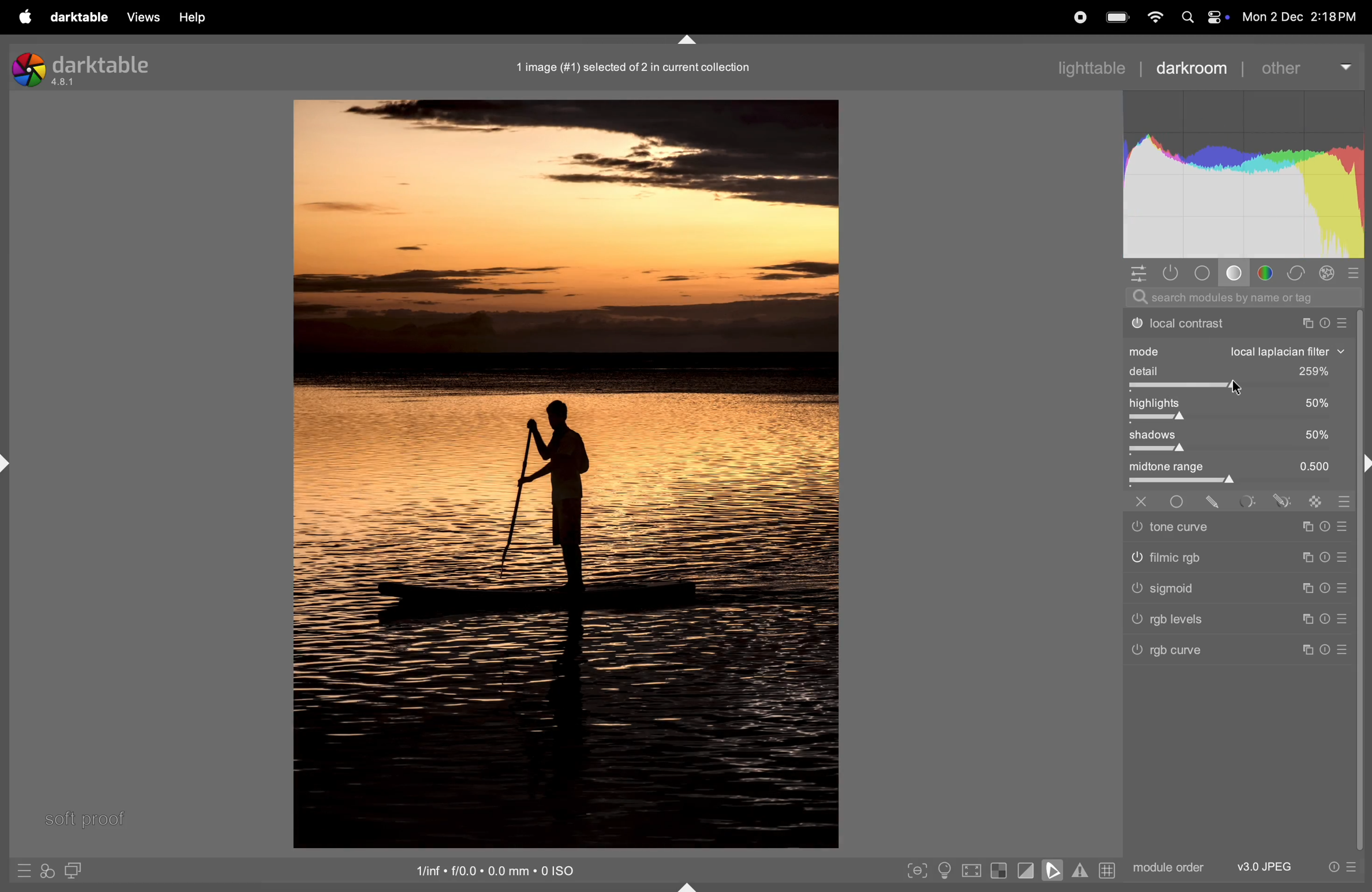 The height and width of the screenshot is (892, 1372). What do you see at coordinates (1342, 652) in the screenshot?
I see `` at bounding box center [1342, 652].